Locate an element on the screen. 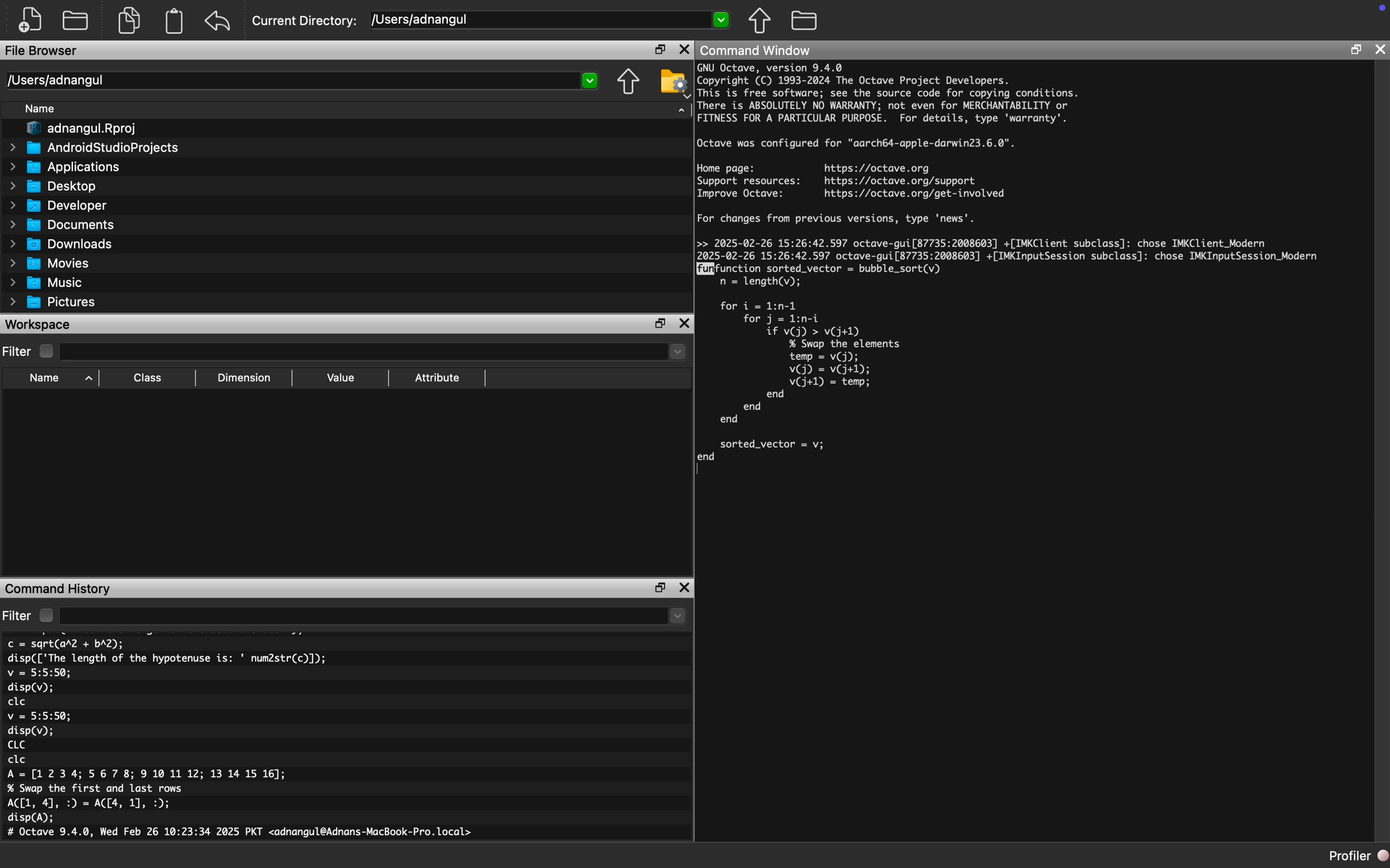 This screenshot has height=868, width=1390. Restore Down is located at coordinates (1356, 51).